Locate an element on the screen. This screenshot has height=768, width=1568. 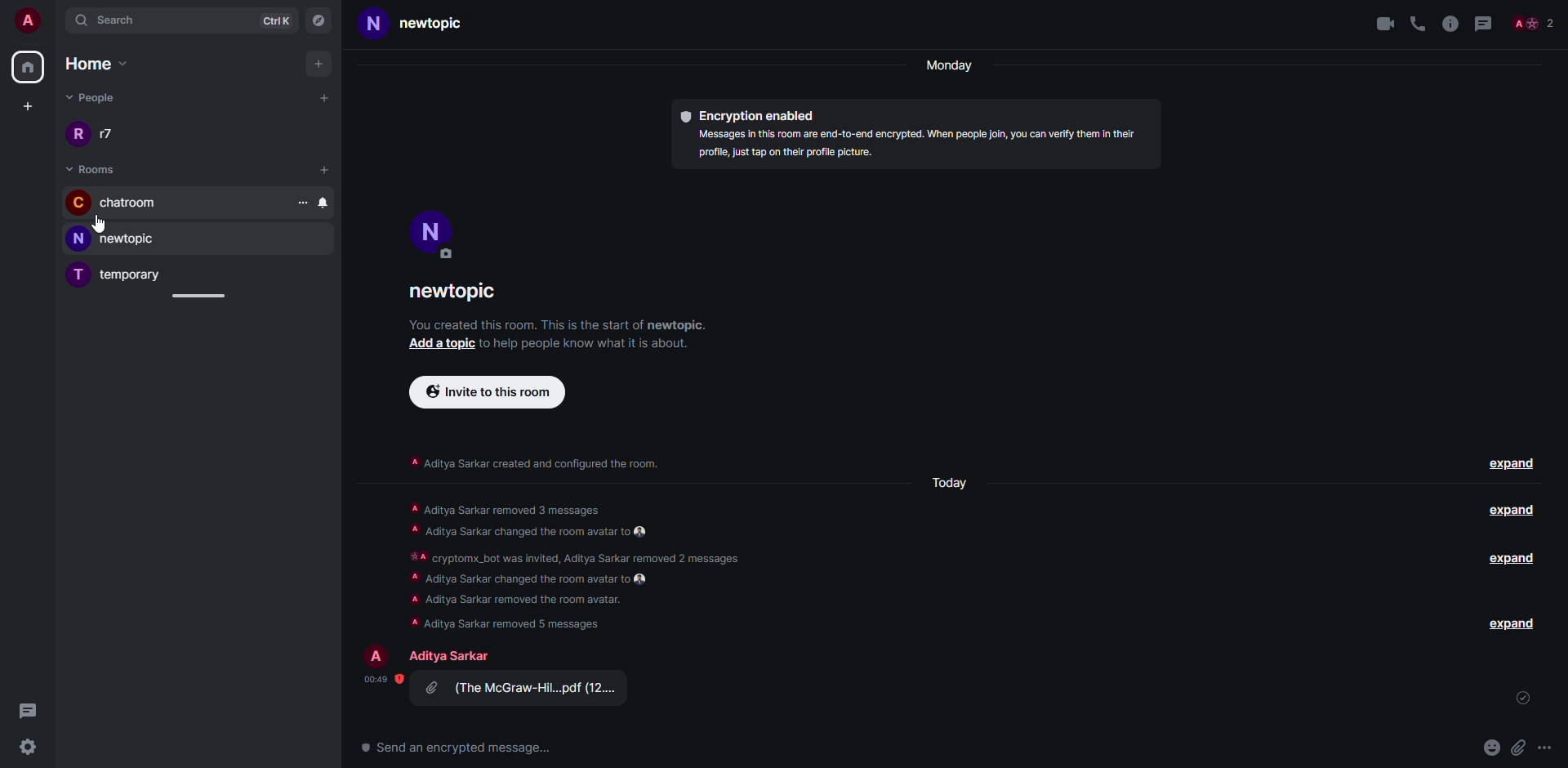
account is located at coordinates (28, 20).